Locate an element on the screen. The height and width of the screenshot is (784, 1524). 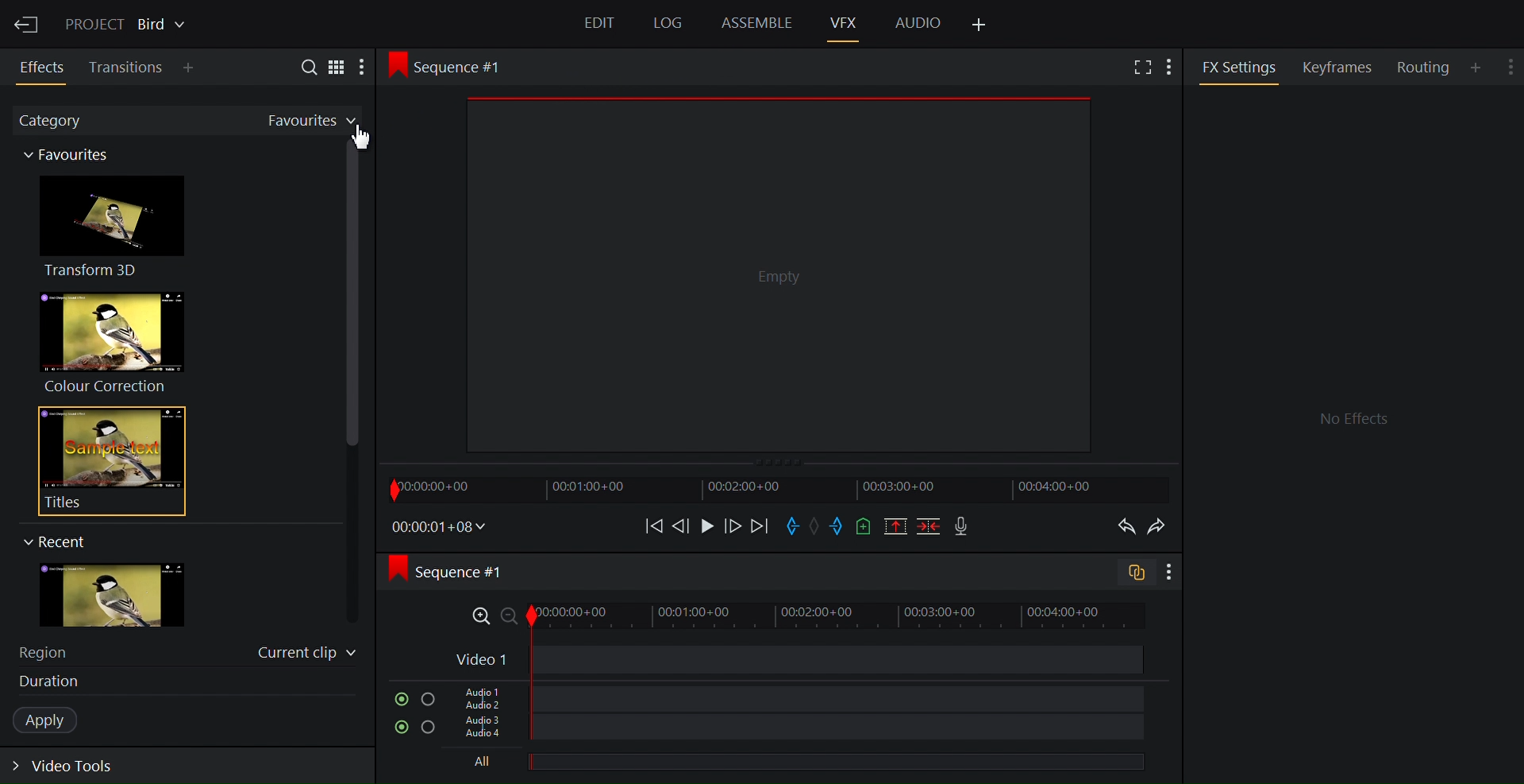
Solo this track is located at coordinates (431, 698).